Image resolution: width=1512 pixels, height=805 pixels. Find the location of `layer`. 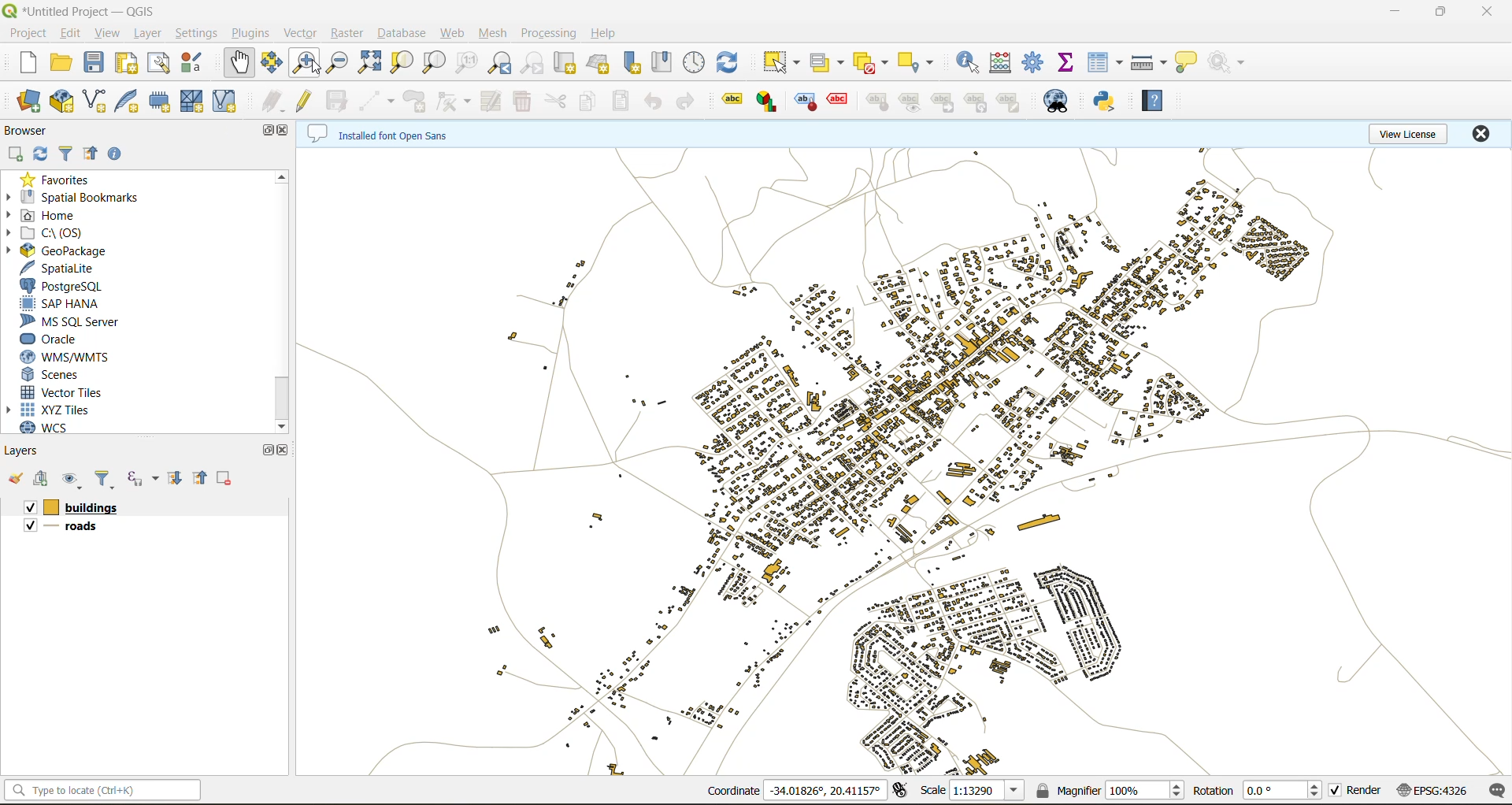

layer is located at coordinates (147, 32).